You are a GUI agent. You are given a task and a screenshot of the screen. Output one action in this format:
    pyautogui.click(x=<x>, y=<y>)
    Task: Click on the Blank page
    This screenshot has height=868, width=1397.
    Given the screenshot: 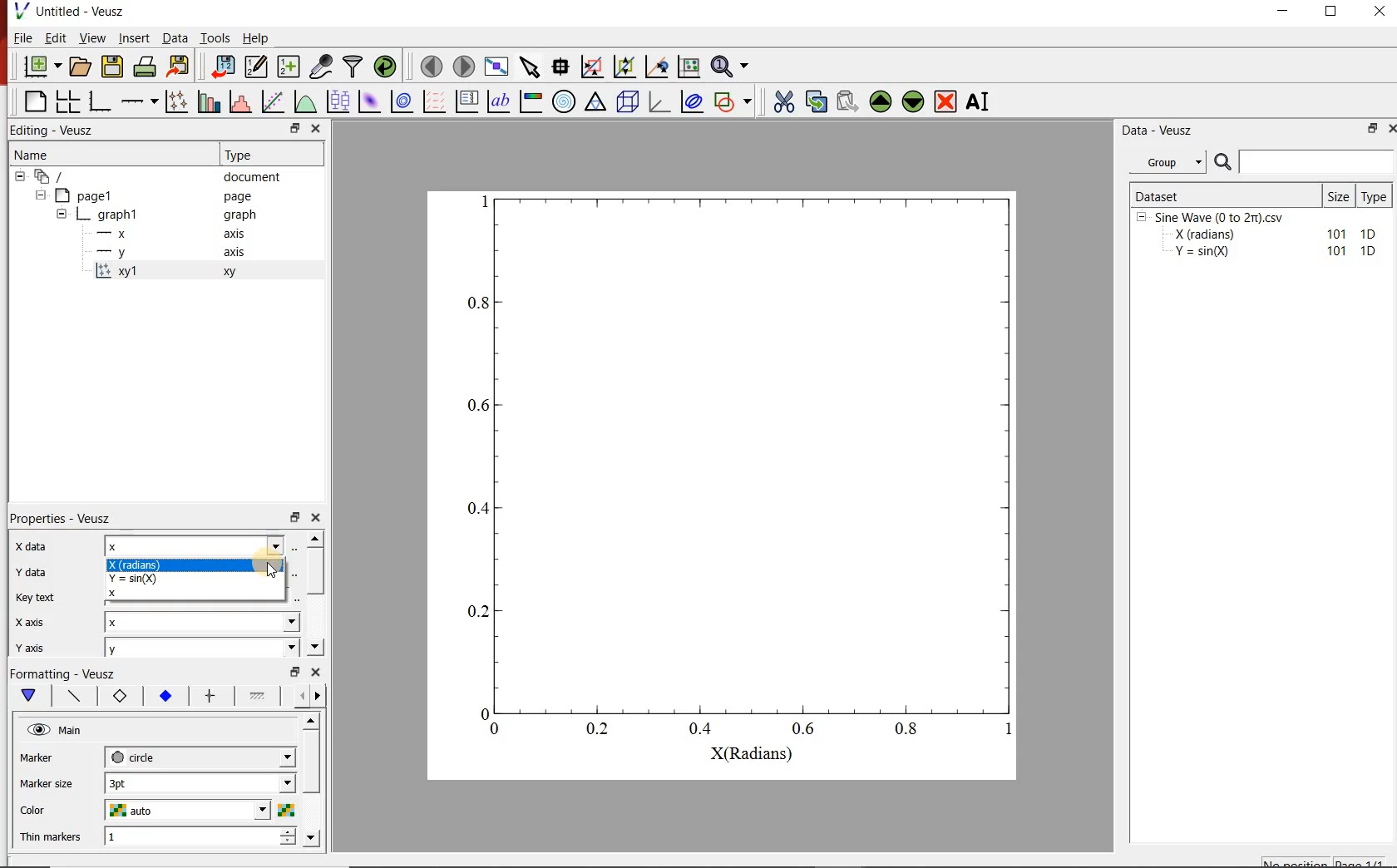 What is the action you would take?
    pyautogui.click(x=35, y=101)
    